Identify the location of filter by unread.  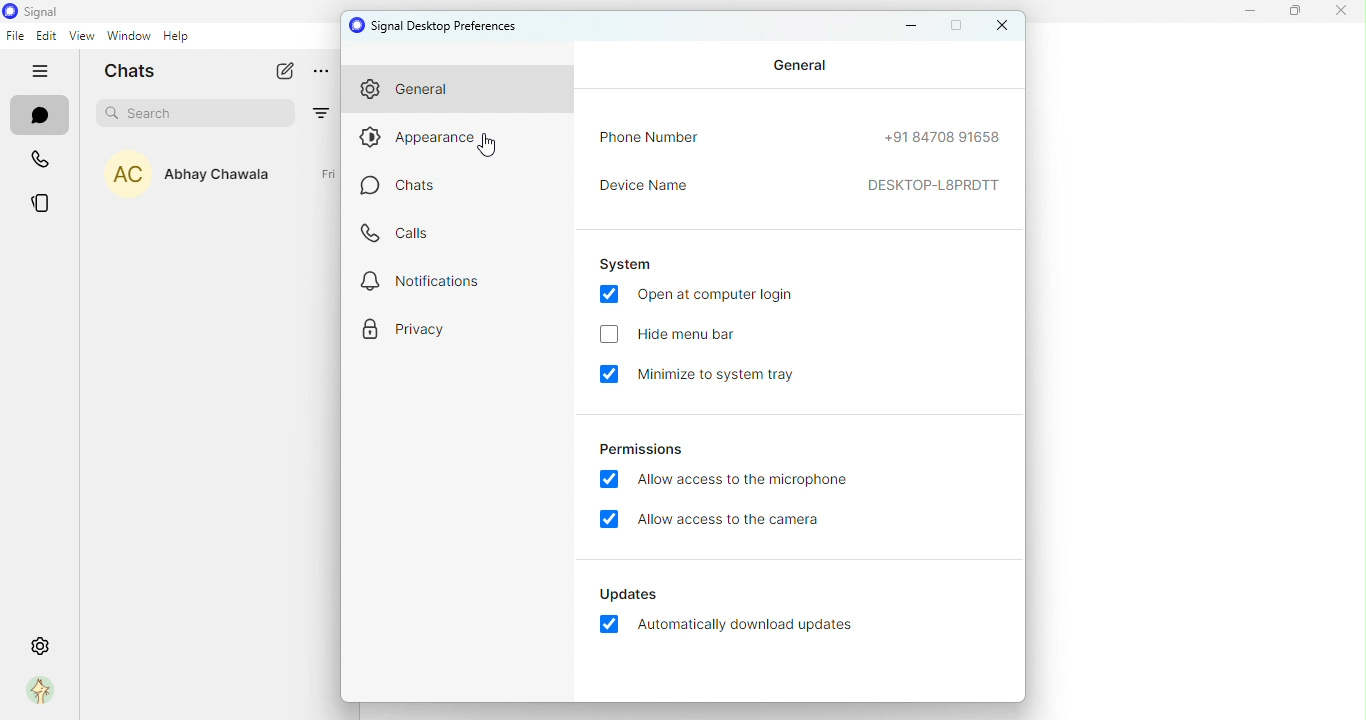
(322, 114).